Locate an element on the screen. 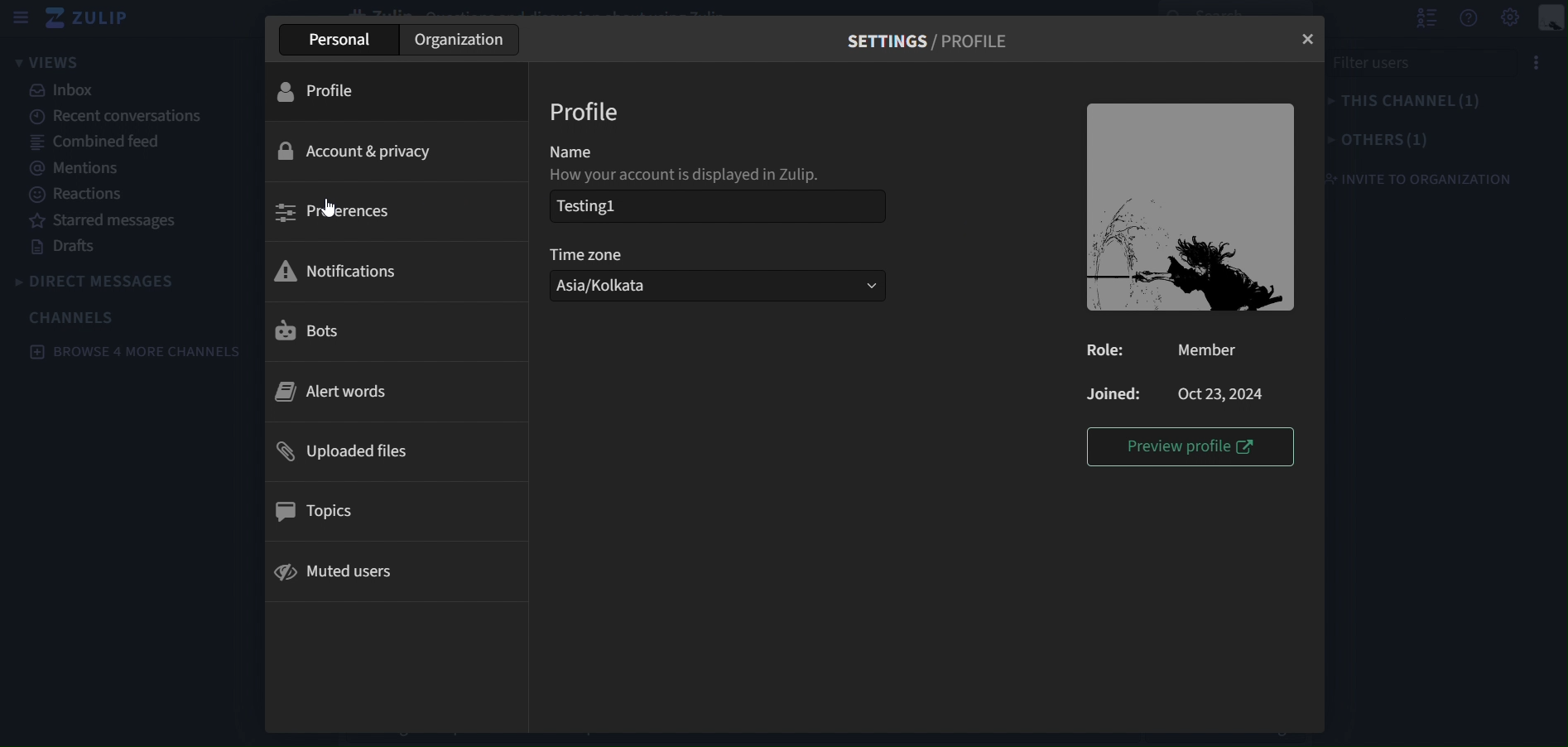 Image resolution: width=1568 pixels, height=747 pixels. Role: Member is located at coordinates (1179, 352).